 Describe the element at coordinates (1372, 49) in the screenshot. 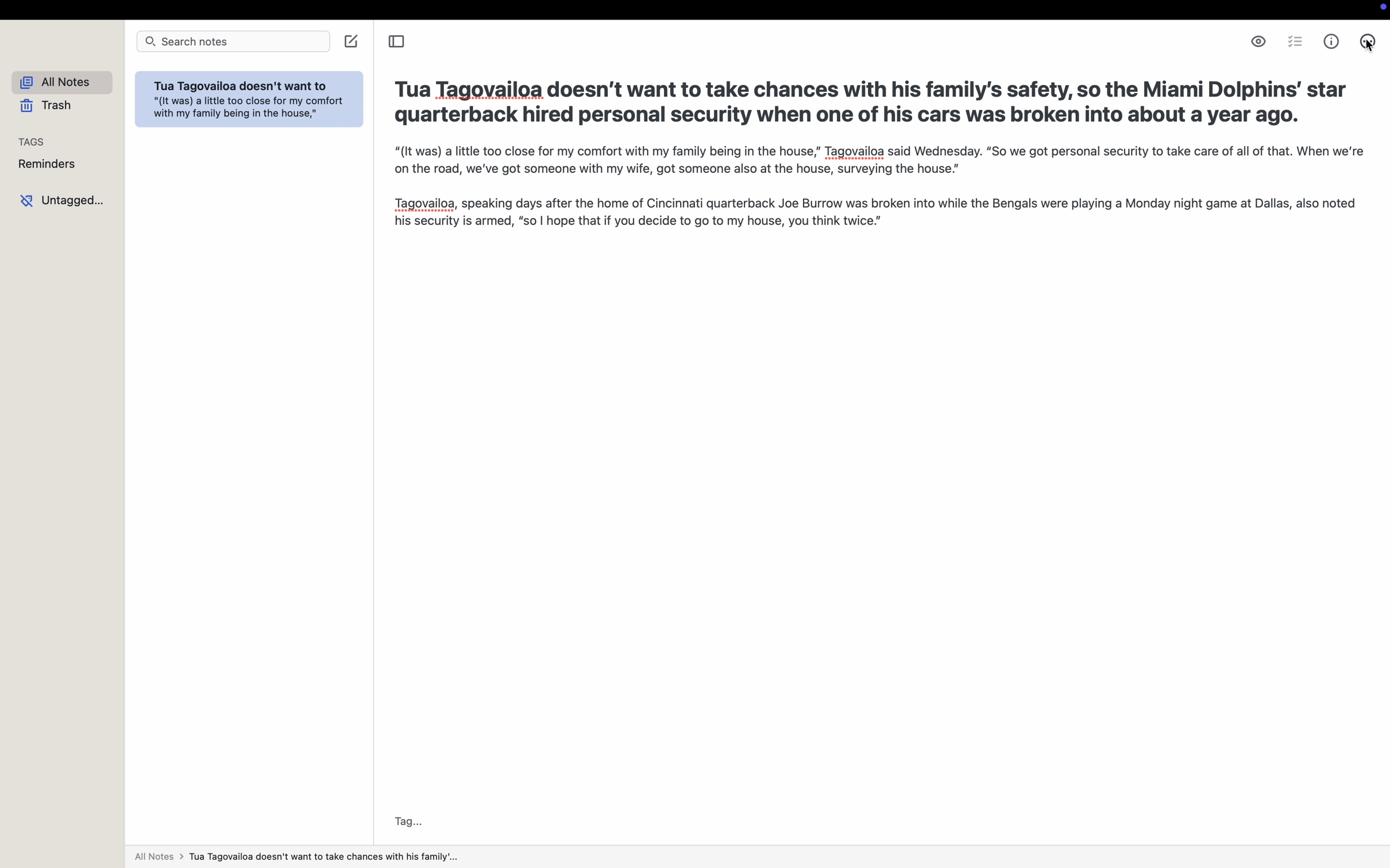

I see `cursor` at that location.